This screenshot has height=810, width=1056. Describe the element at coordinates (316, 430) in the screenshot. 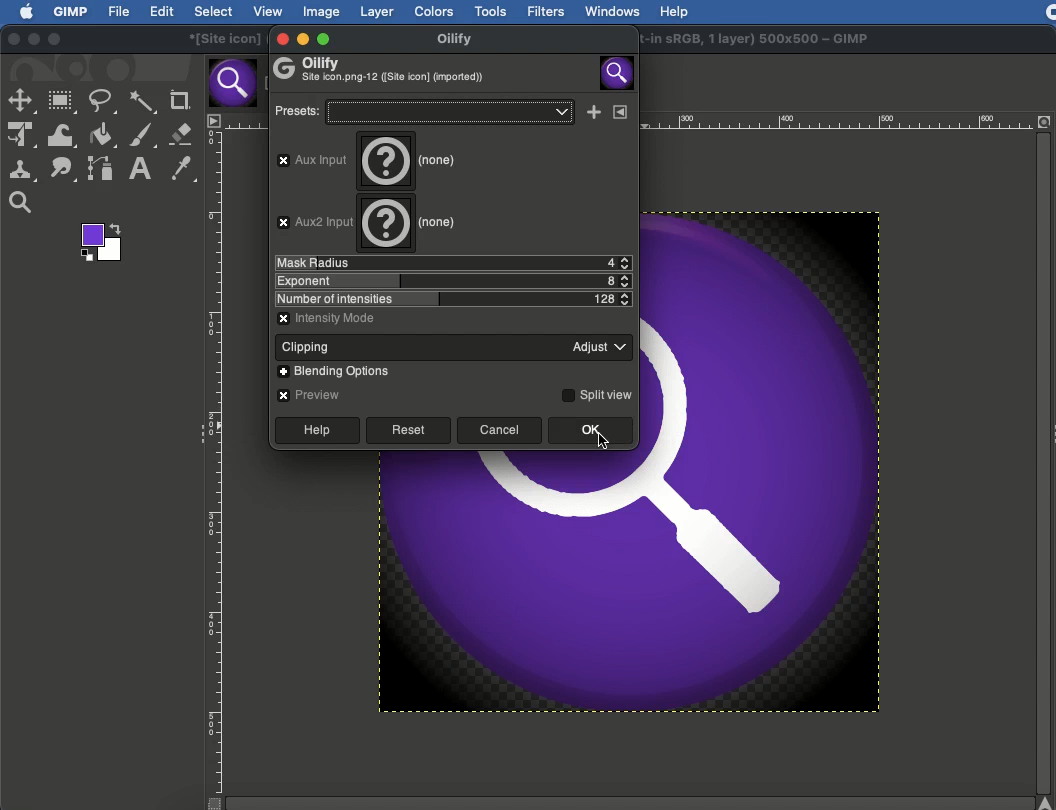

I see `Help` at that location.